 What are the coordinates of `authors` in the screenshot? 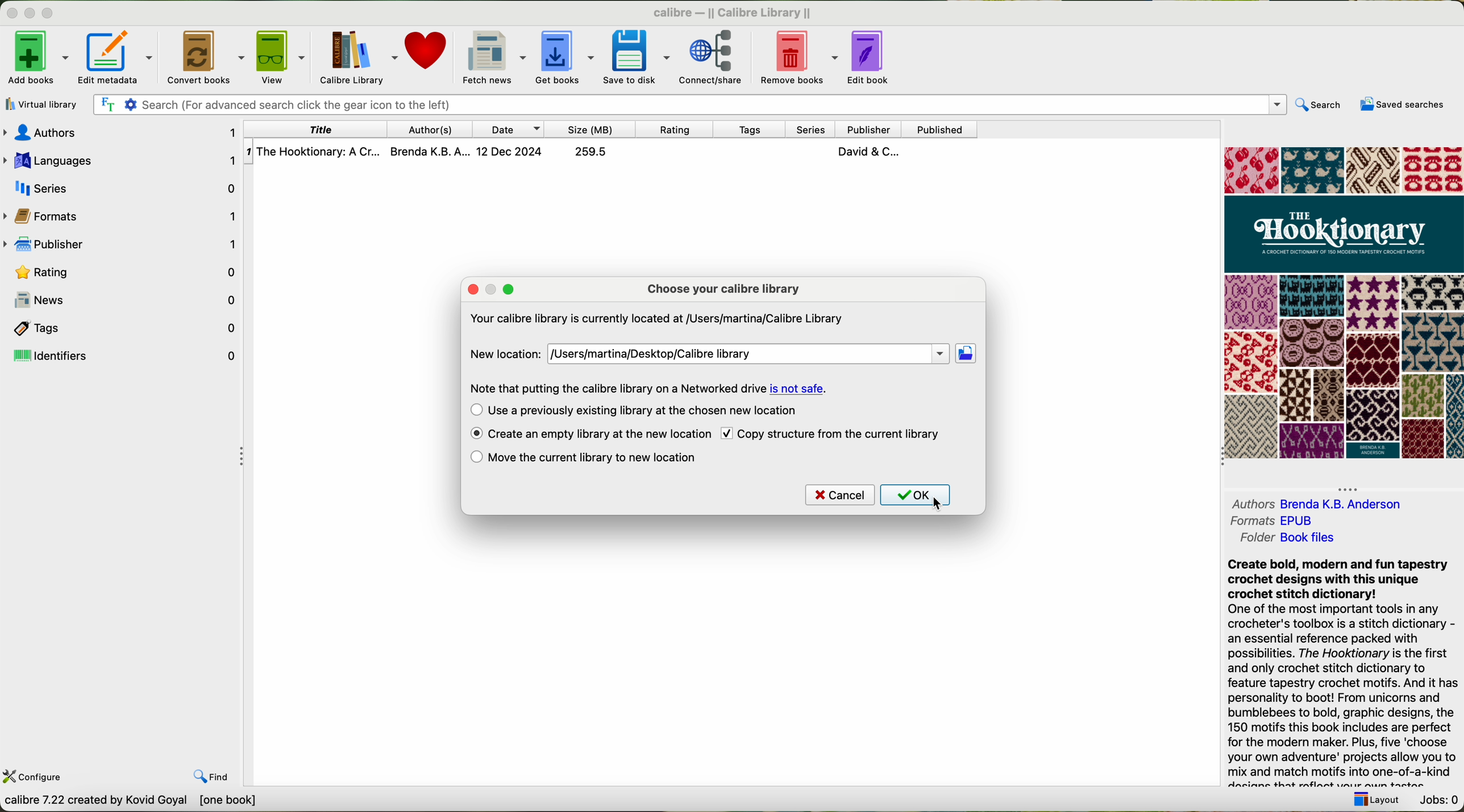 It's located at (435, 130).